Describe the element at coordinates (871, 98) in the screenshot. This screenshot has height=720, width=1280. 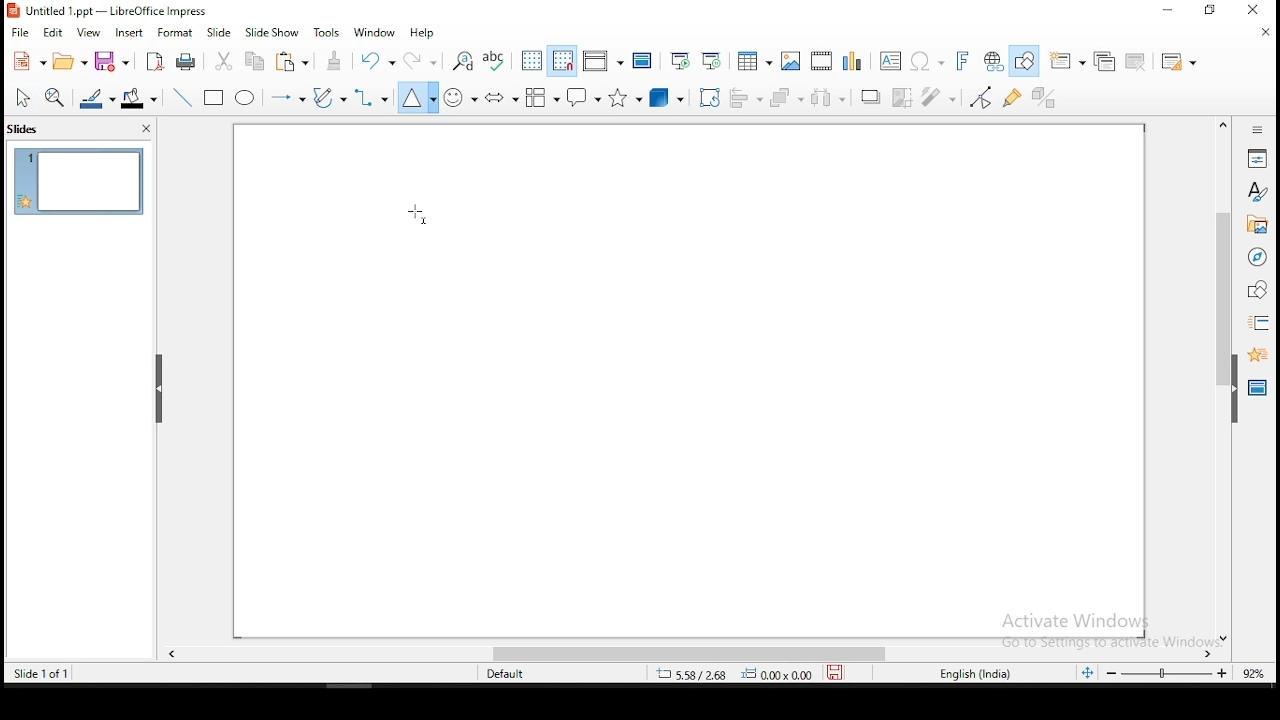
I see `shadow` at that location.